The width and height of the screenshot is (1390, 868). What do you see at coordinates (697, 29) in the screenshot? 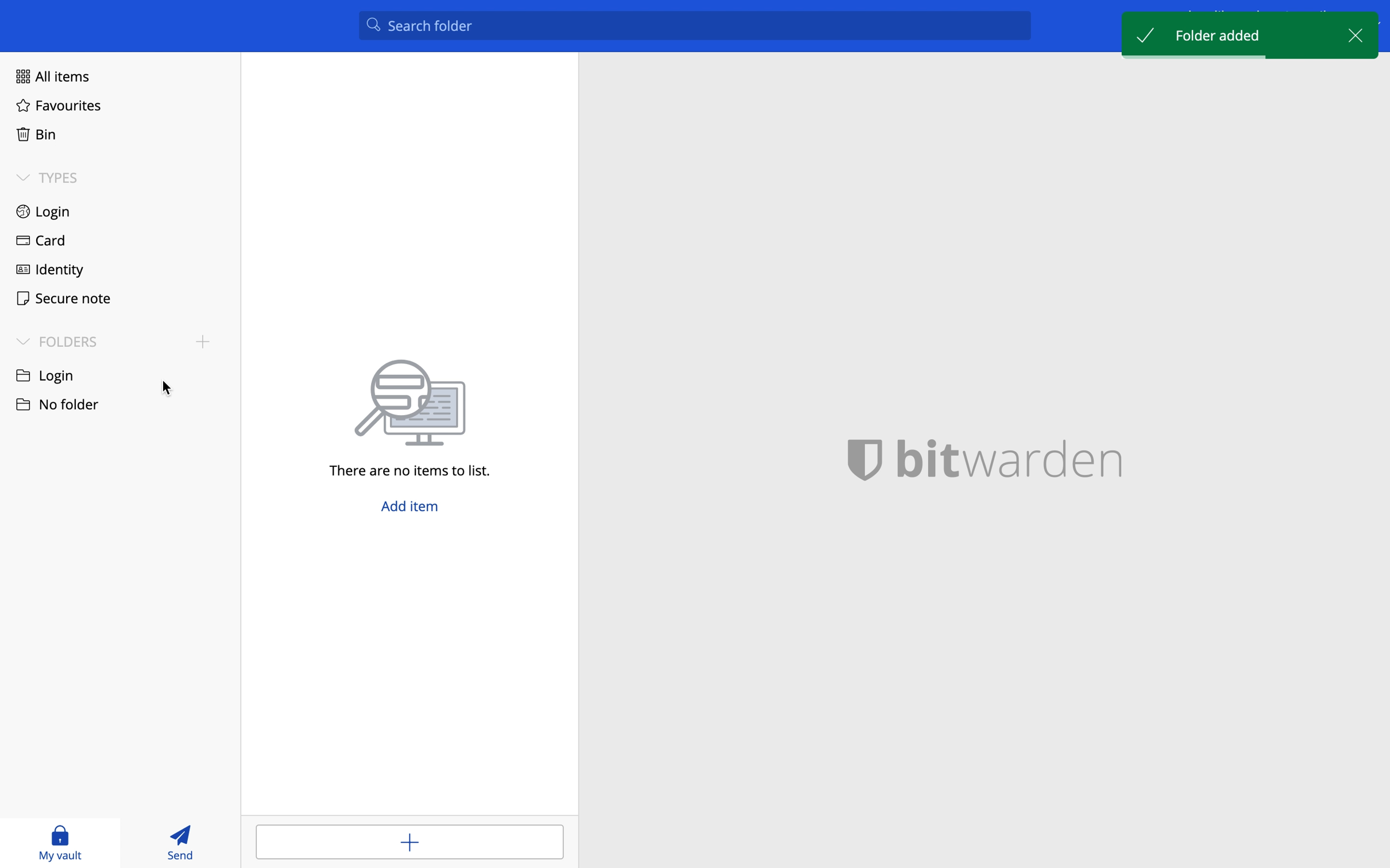
I see `Search folder` at bounding box center [697, 29].